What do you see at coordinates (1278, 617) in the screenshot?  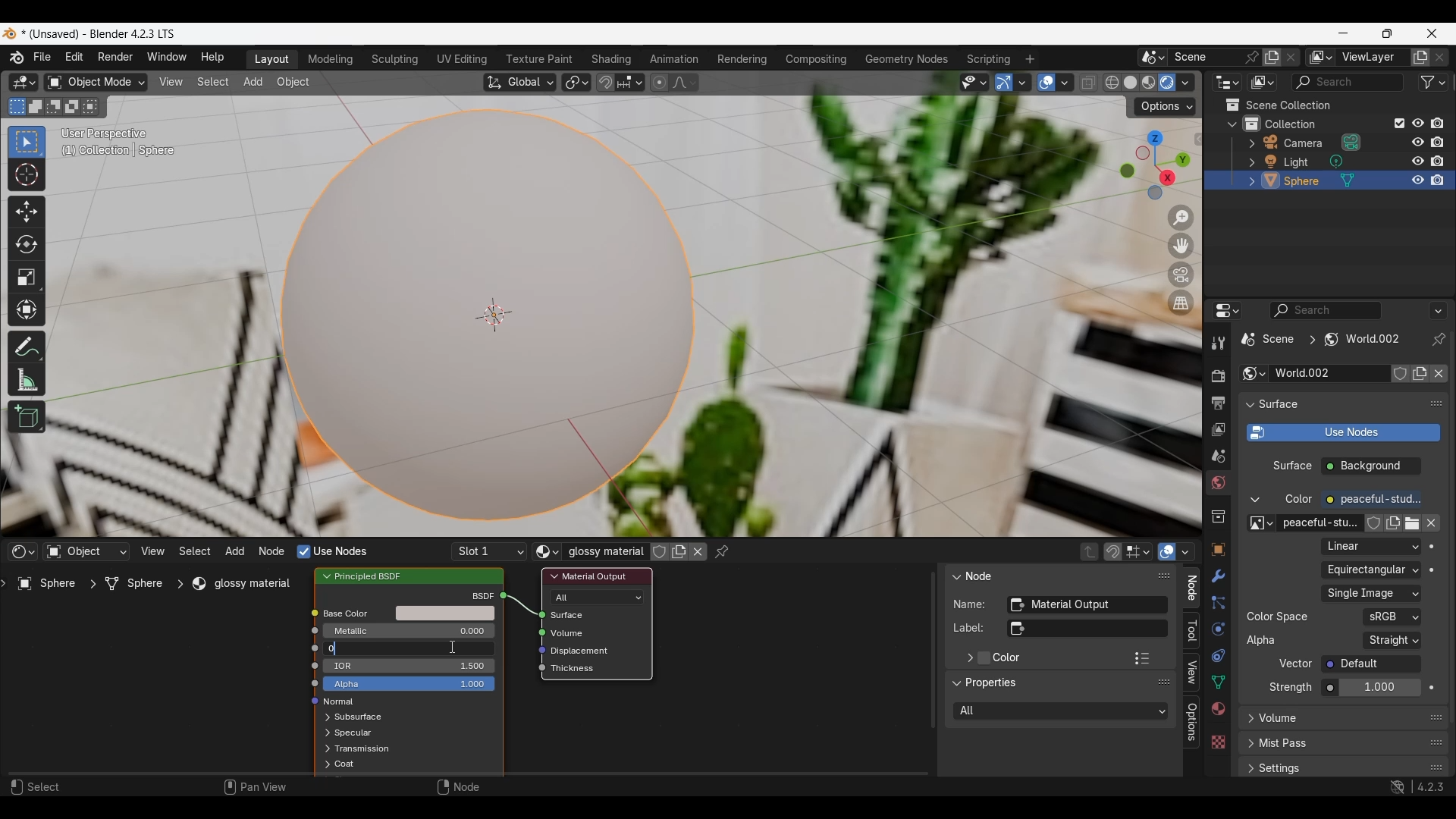 I see `color space` at bounding box center [1278, 617].